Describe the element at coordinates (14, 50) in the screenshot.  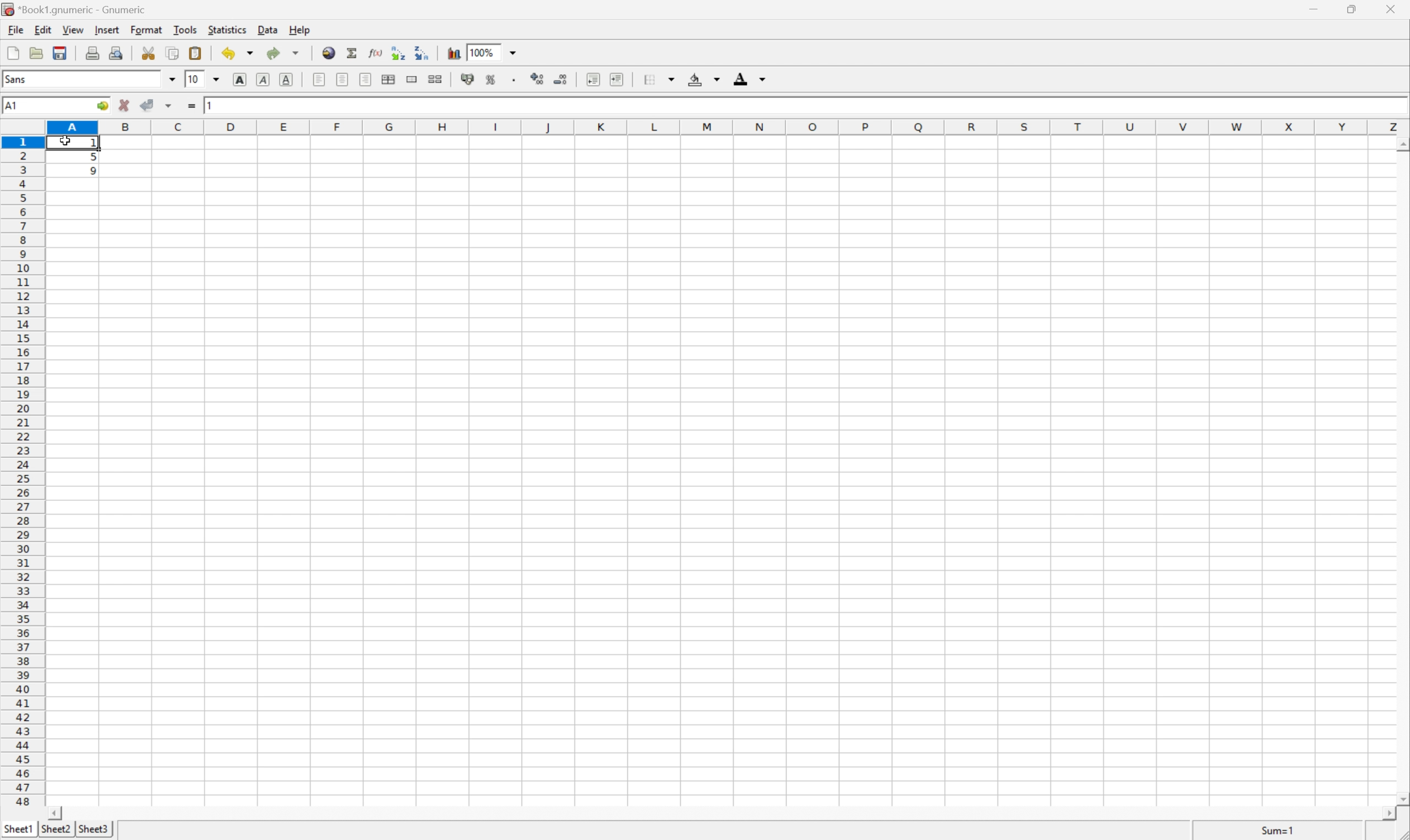
I see `new` at that location.